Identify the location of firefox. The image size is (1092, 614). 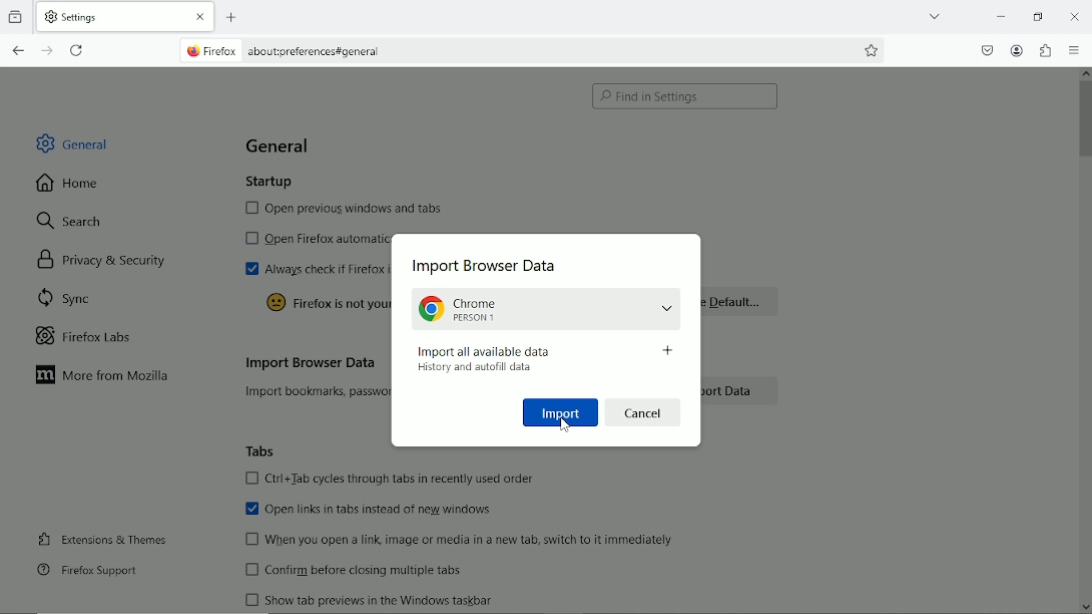
(211, 51).